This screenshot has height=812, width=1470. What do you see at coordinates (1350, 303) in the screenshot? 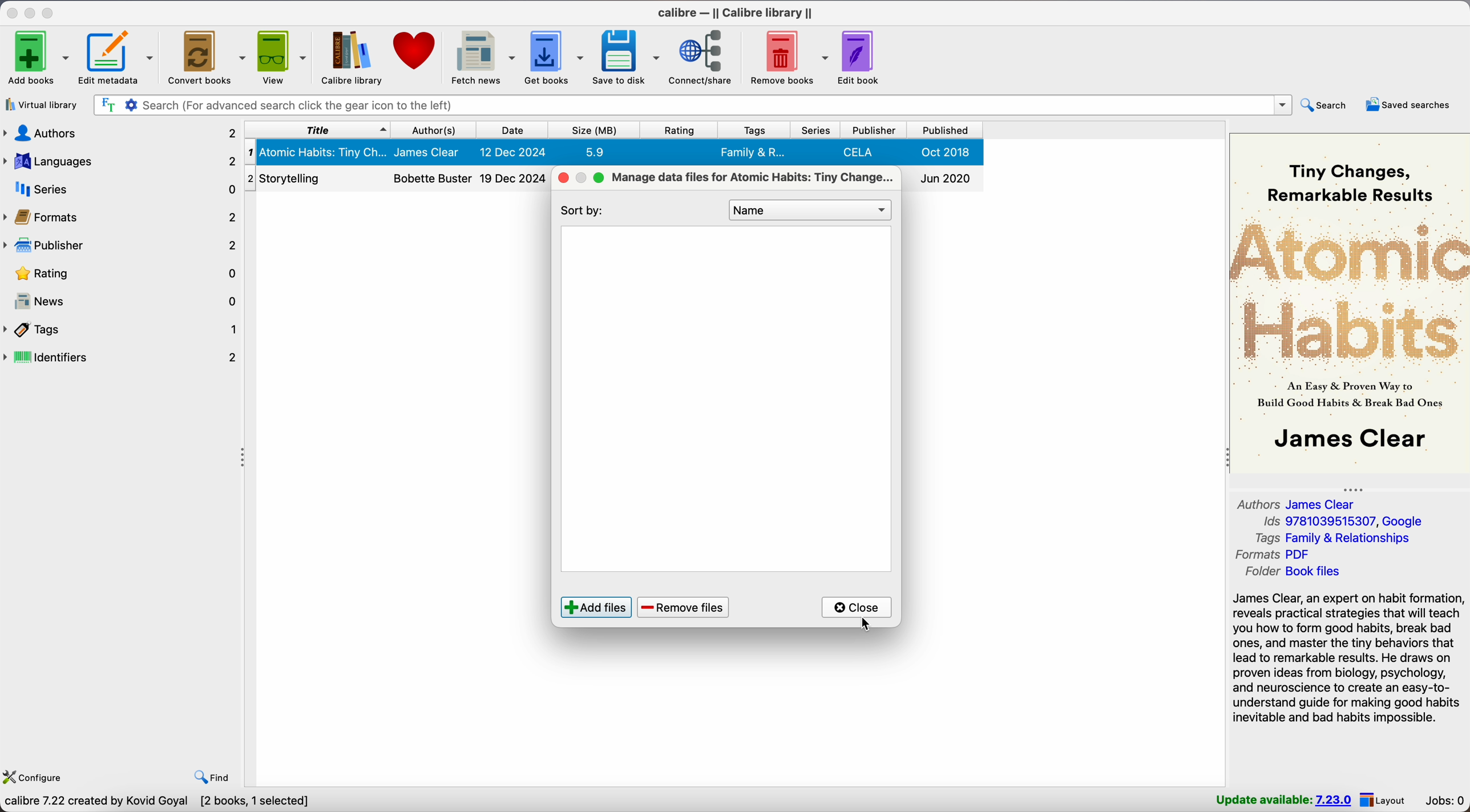
I see `book cover preview` at bounding box center [1350, 303].